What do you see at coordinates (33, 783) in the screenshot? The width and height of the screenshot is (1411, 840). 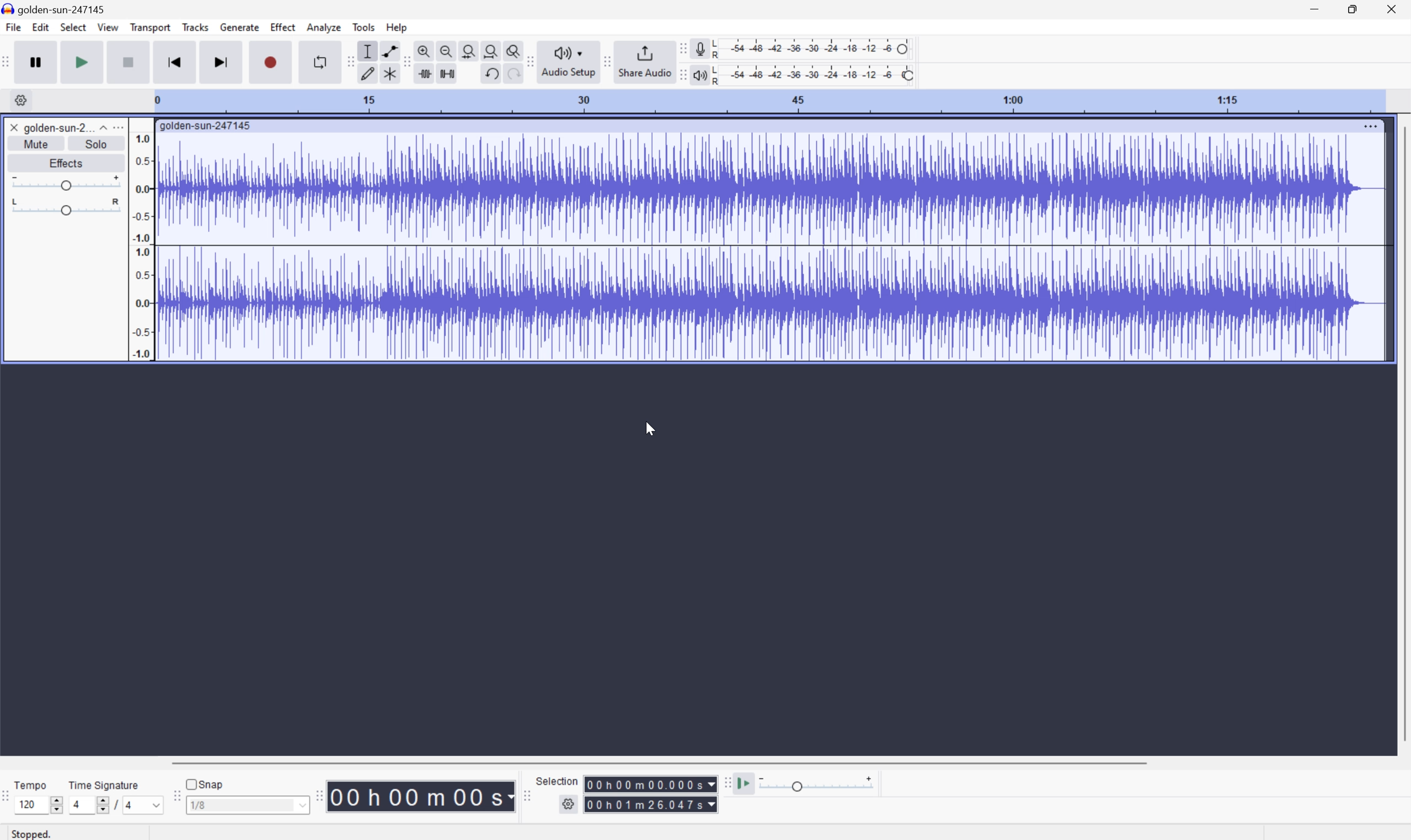 I see `Tempo` at bounding box center [33, 783].